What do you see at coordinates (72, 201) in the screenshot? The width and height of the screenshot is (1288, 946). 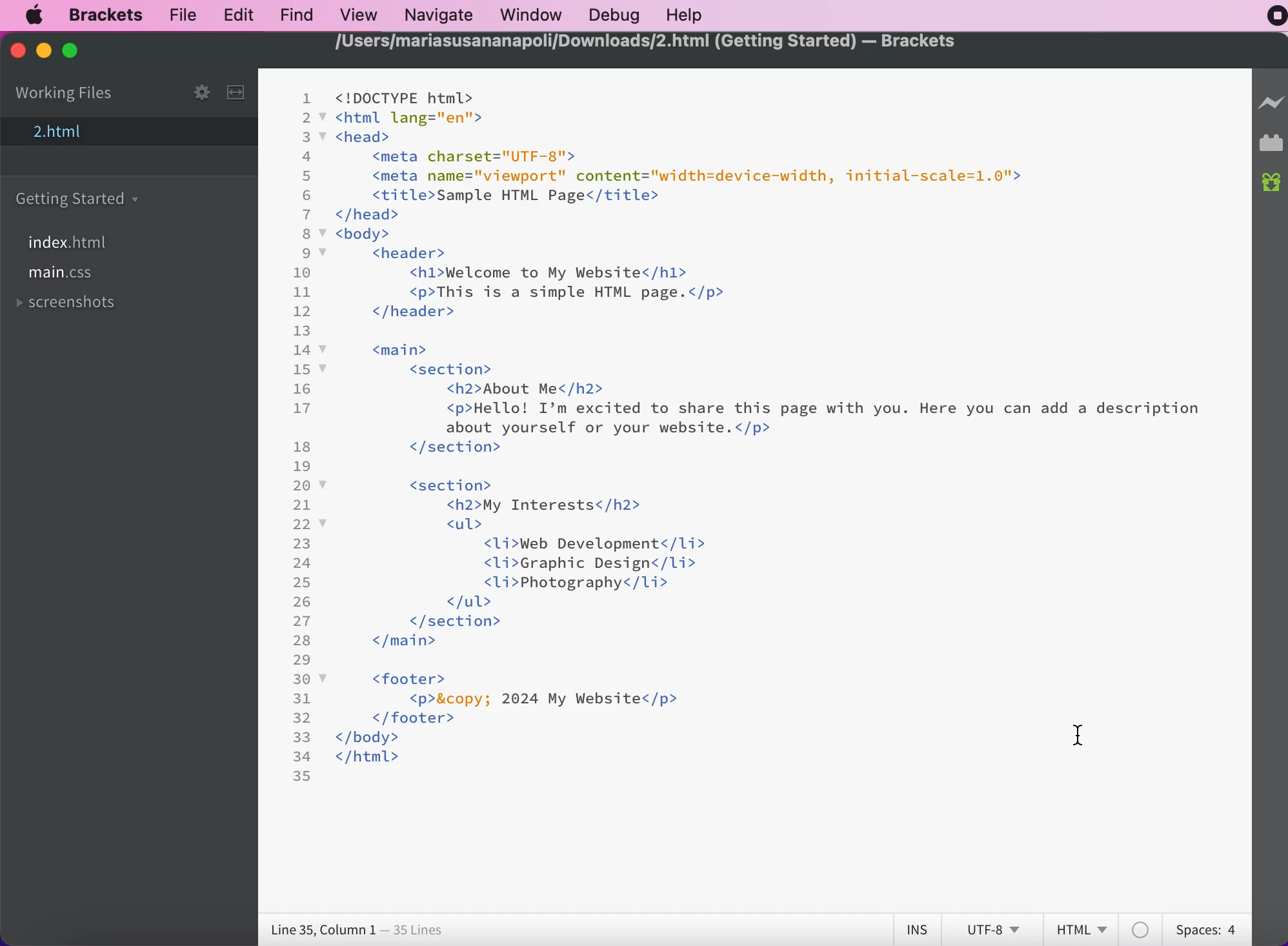 I see `getting started carpet` at bounding box center [72, 201].